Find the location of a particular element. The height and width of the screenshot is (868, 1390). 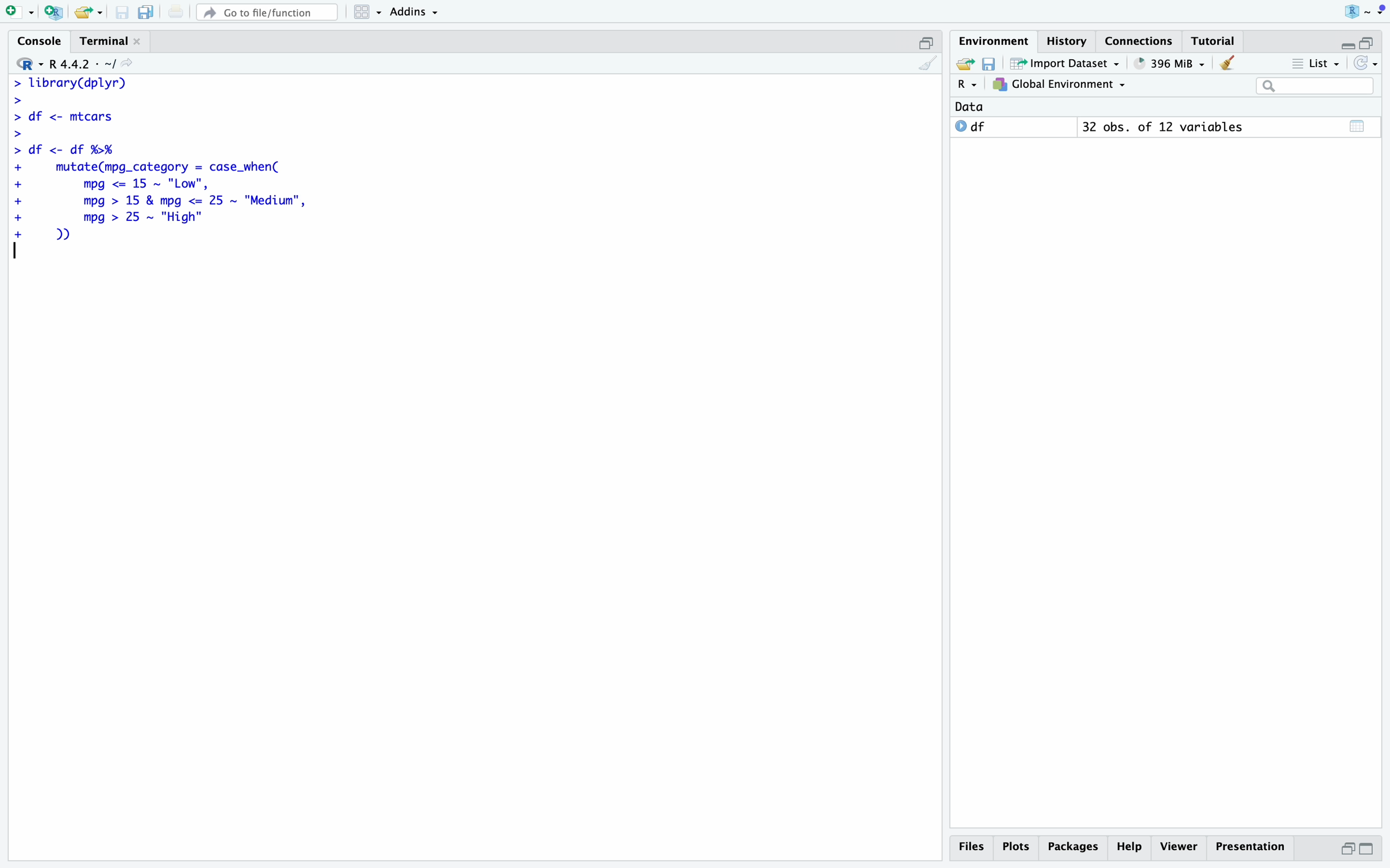

grid is located at coordinates (369, 12).